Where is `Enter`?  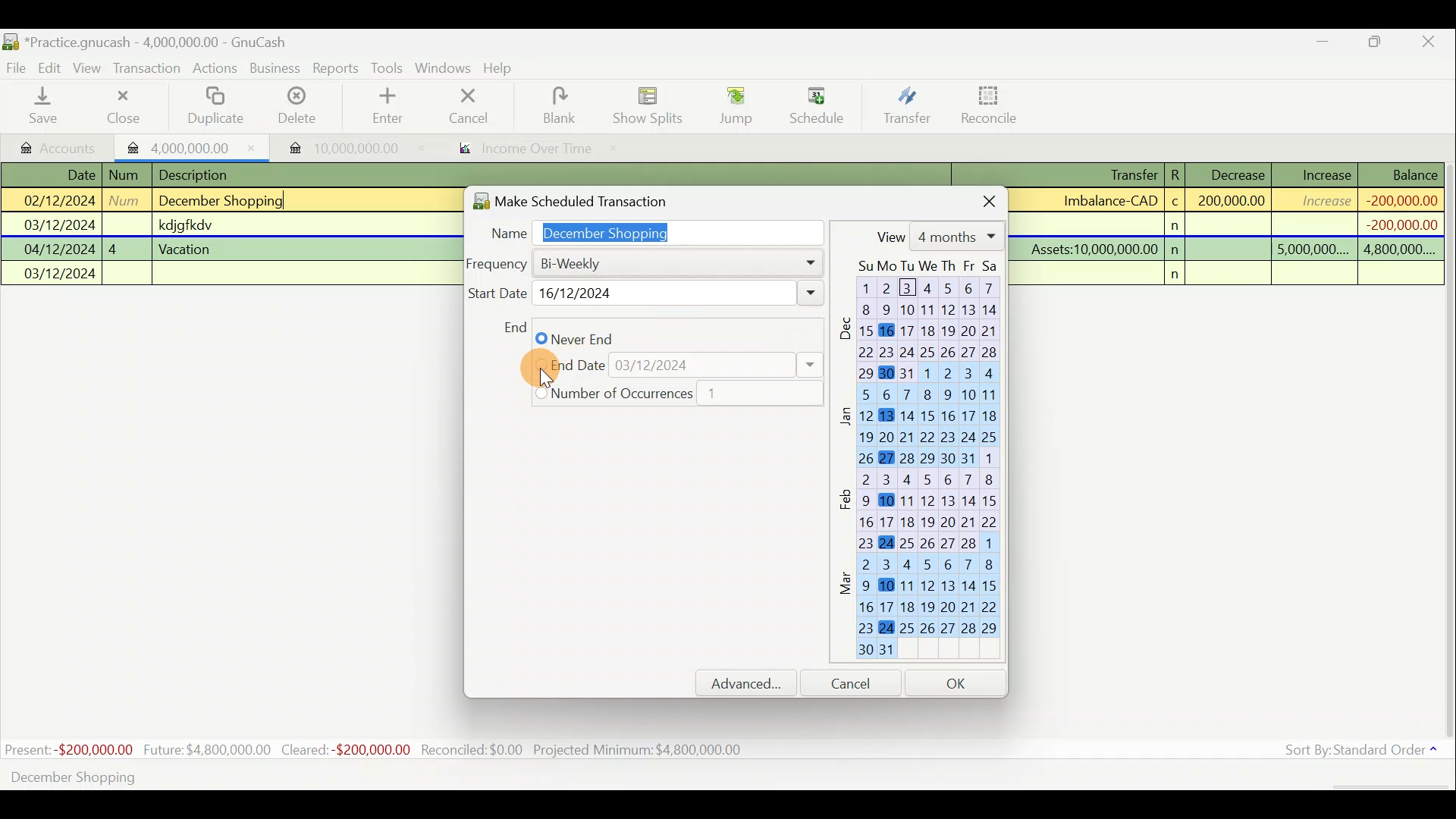 Enter is located at coordinates (386, 106).